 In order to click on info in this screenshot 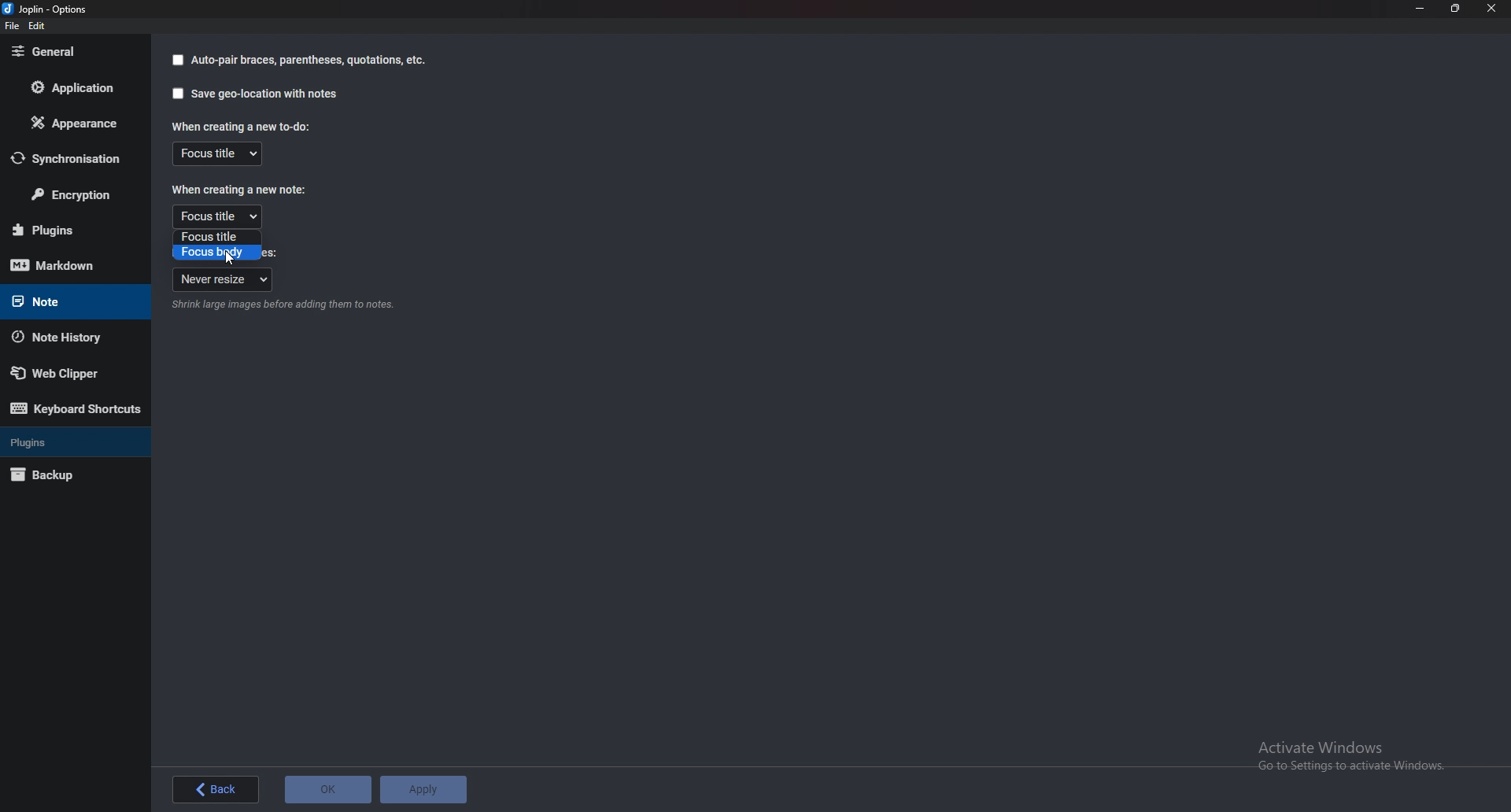, I will do `click(280, 307)`.